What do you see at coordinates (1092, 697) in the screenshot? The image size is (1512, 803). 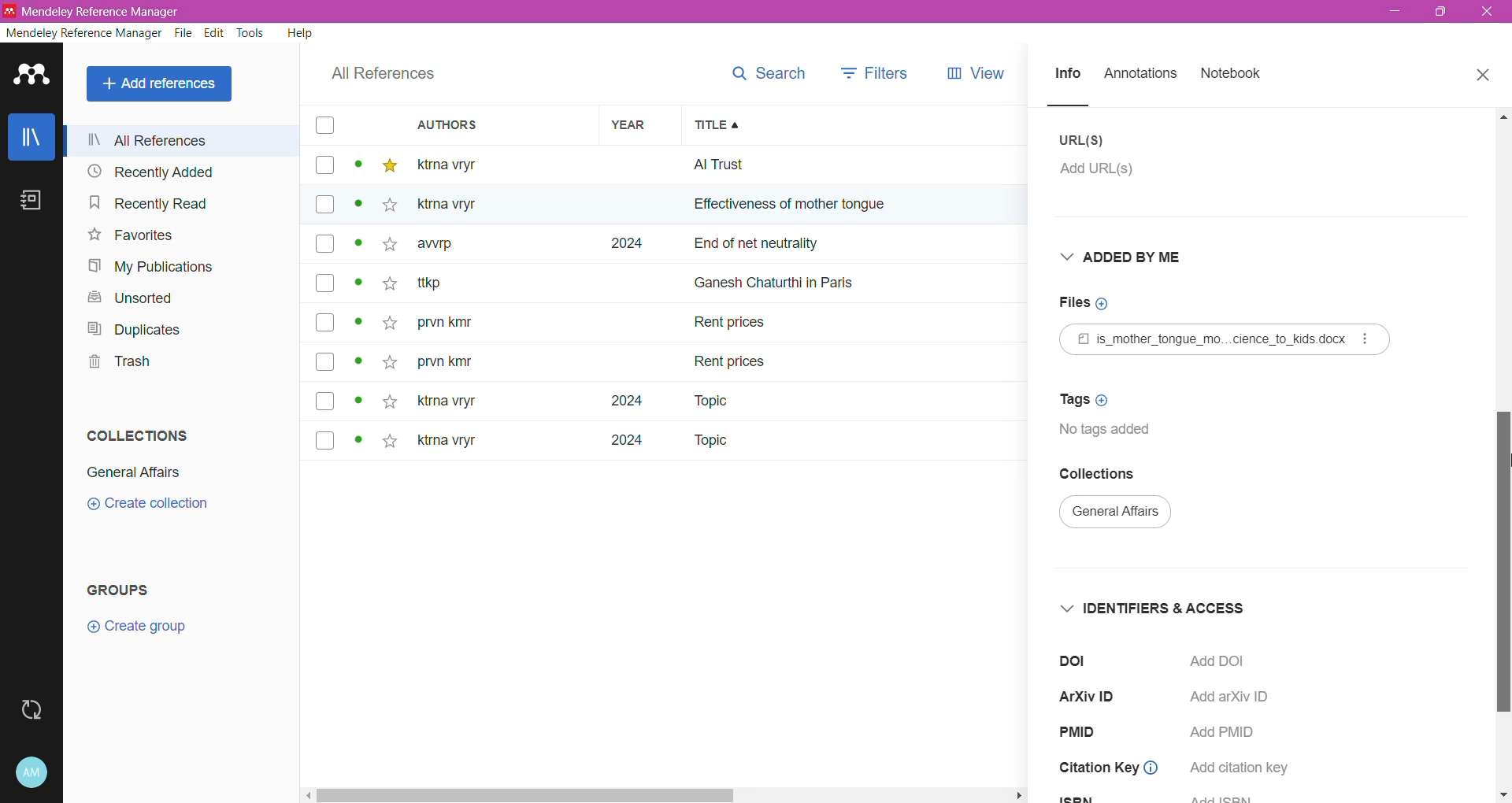 I see `ArXiV ID` at bounding box center [1092, 697].